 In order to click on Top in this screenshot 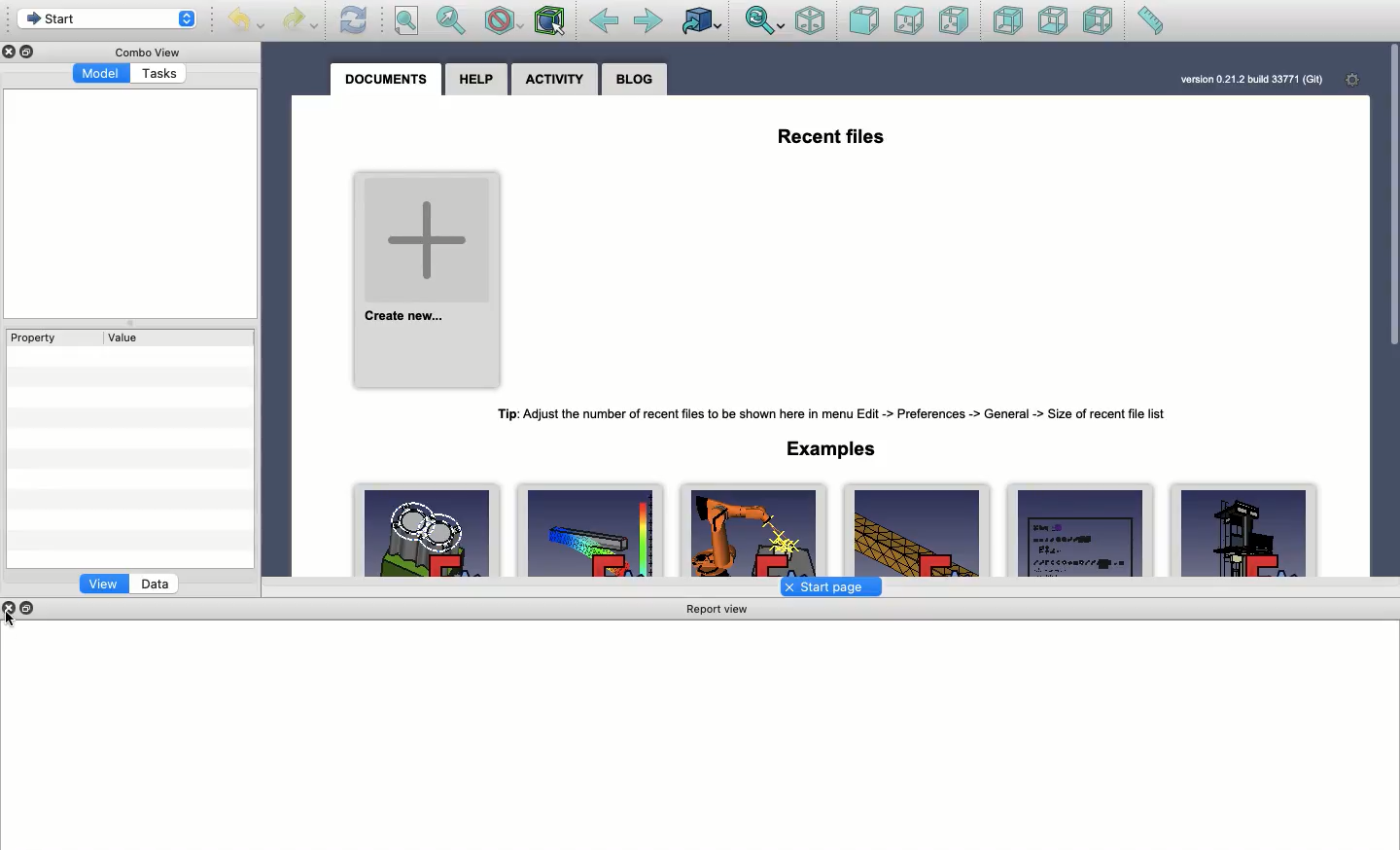, I will do `click(910, 22)`.